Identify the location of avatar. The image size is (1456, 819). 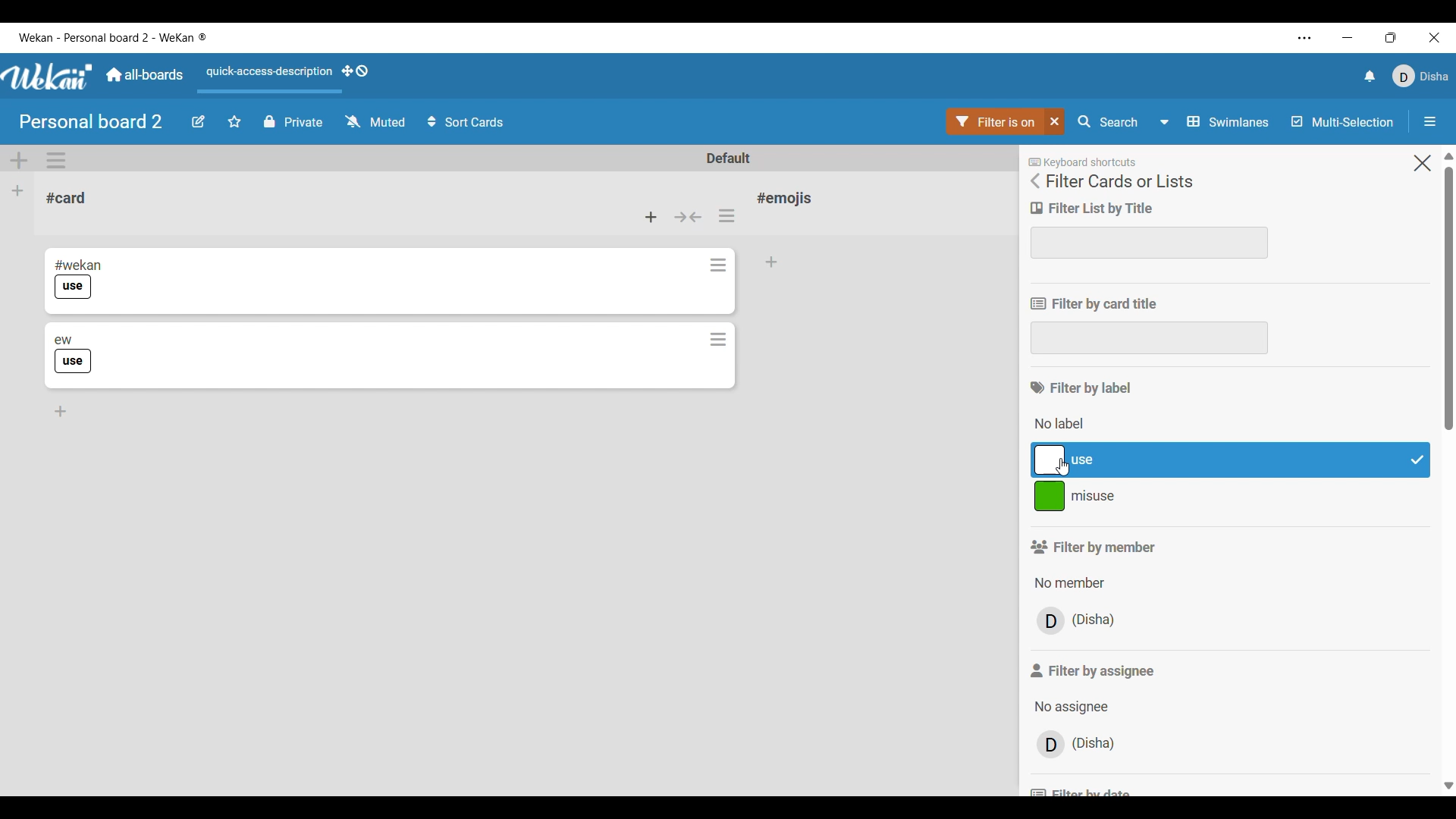
(1051, 620).